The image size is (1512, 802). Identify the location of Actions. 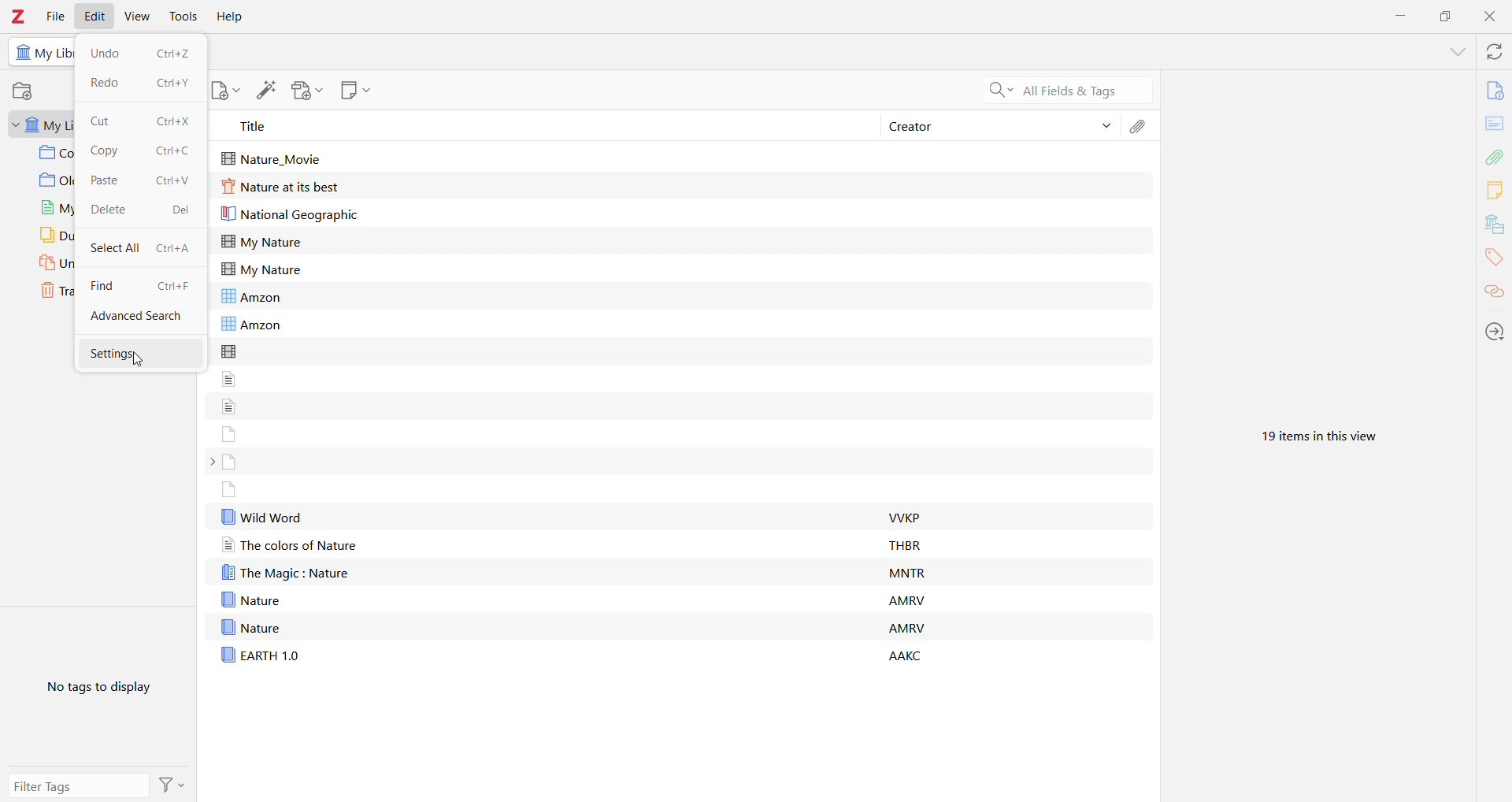
(175, 784).